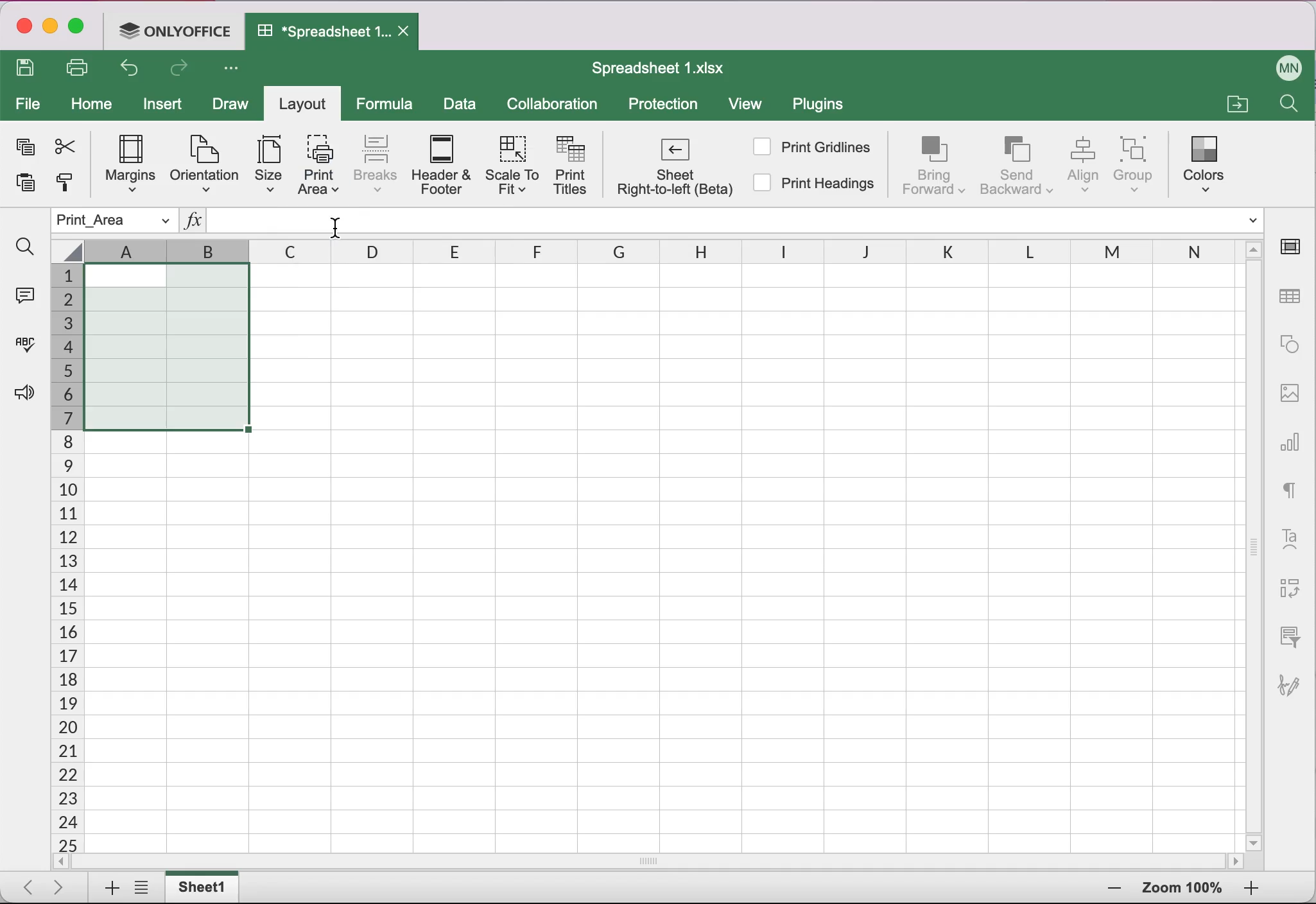  I want to click on close, so click(22, 28).